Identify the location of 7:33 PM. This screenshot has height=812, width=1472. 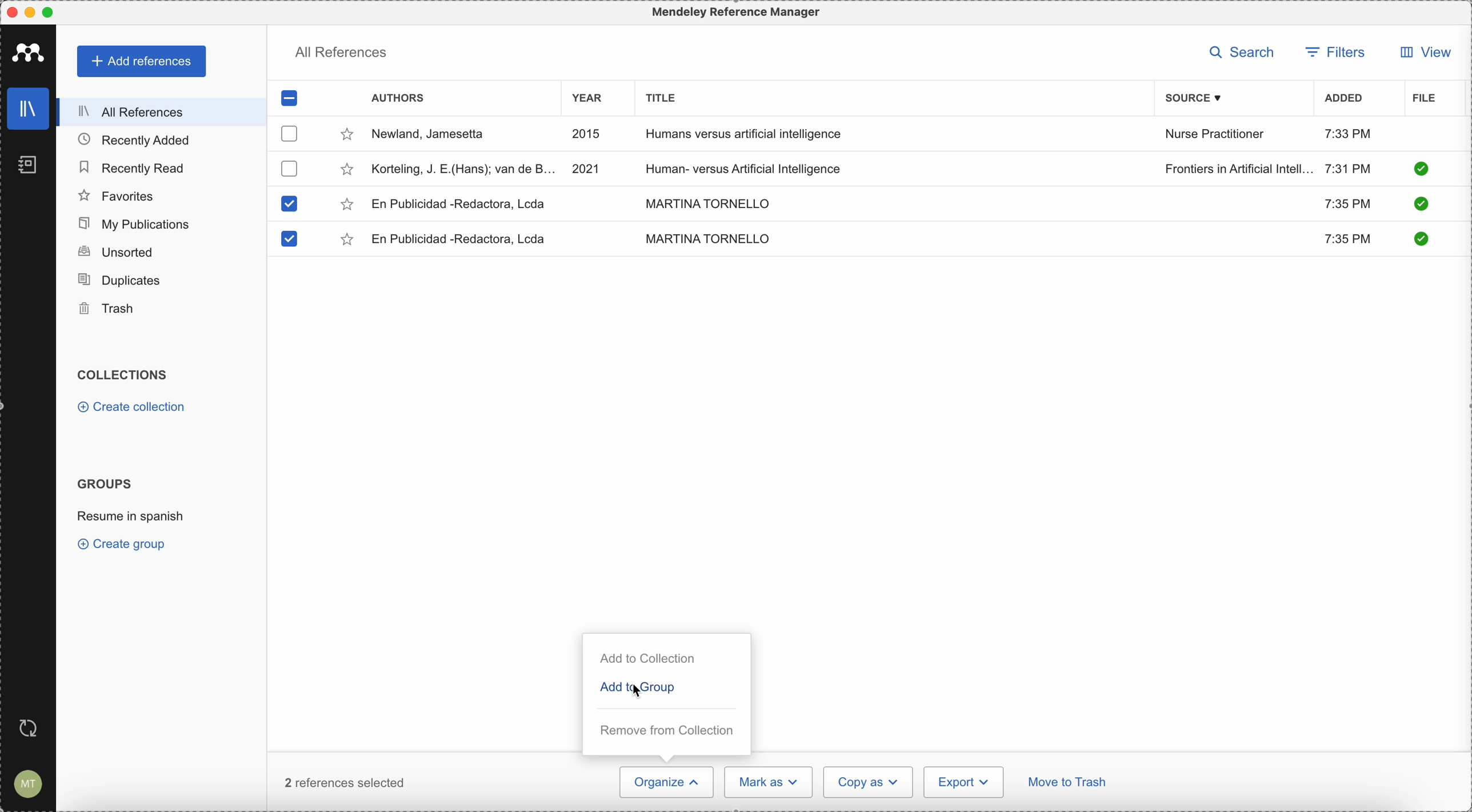
(1348, 133).